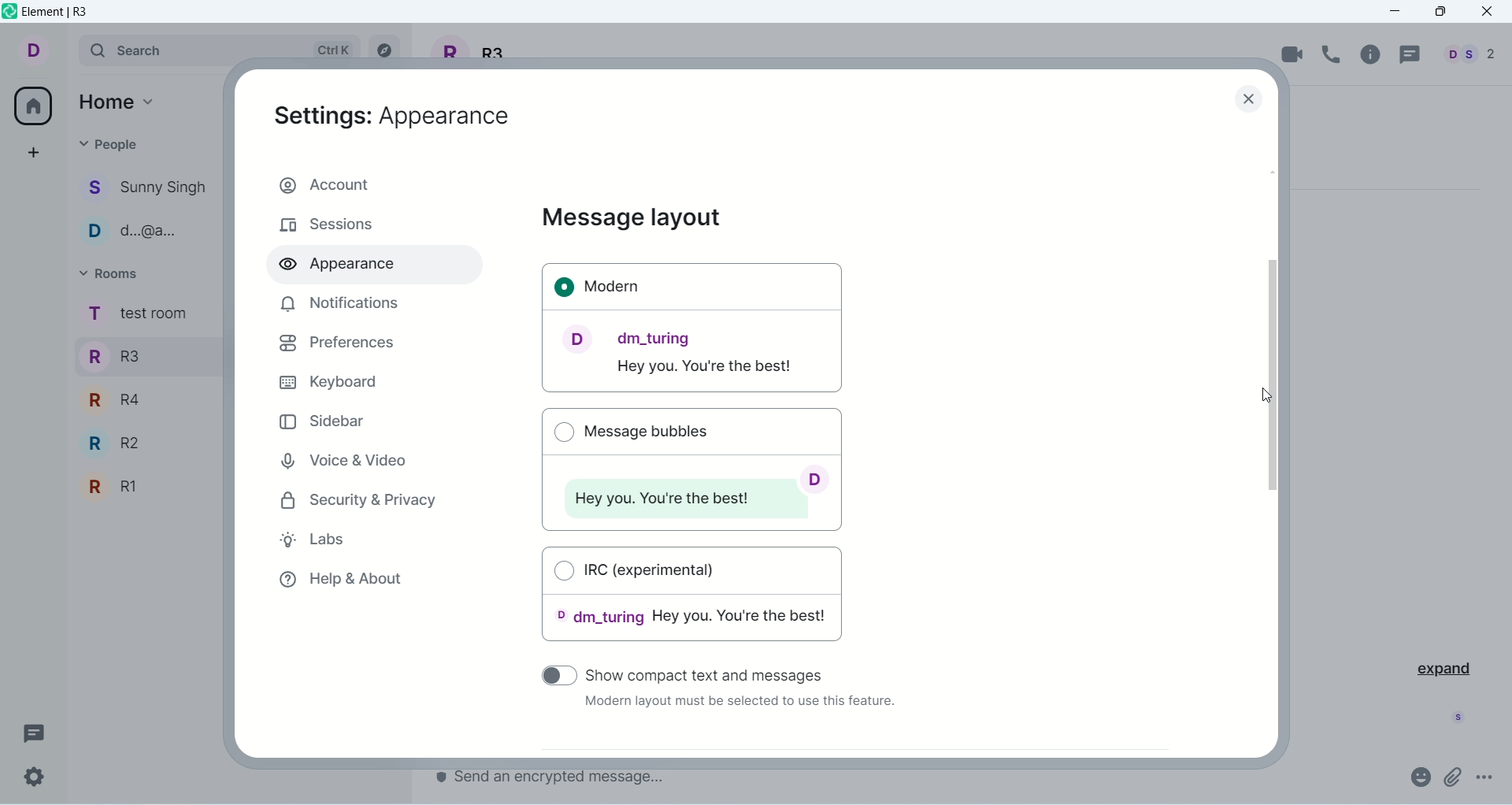  What do you see at coordinates (327, 226) in the screenshot?
I see `sessions` at bounding box center [327, 226].